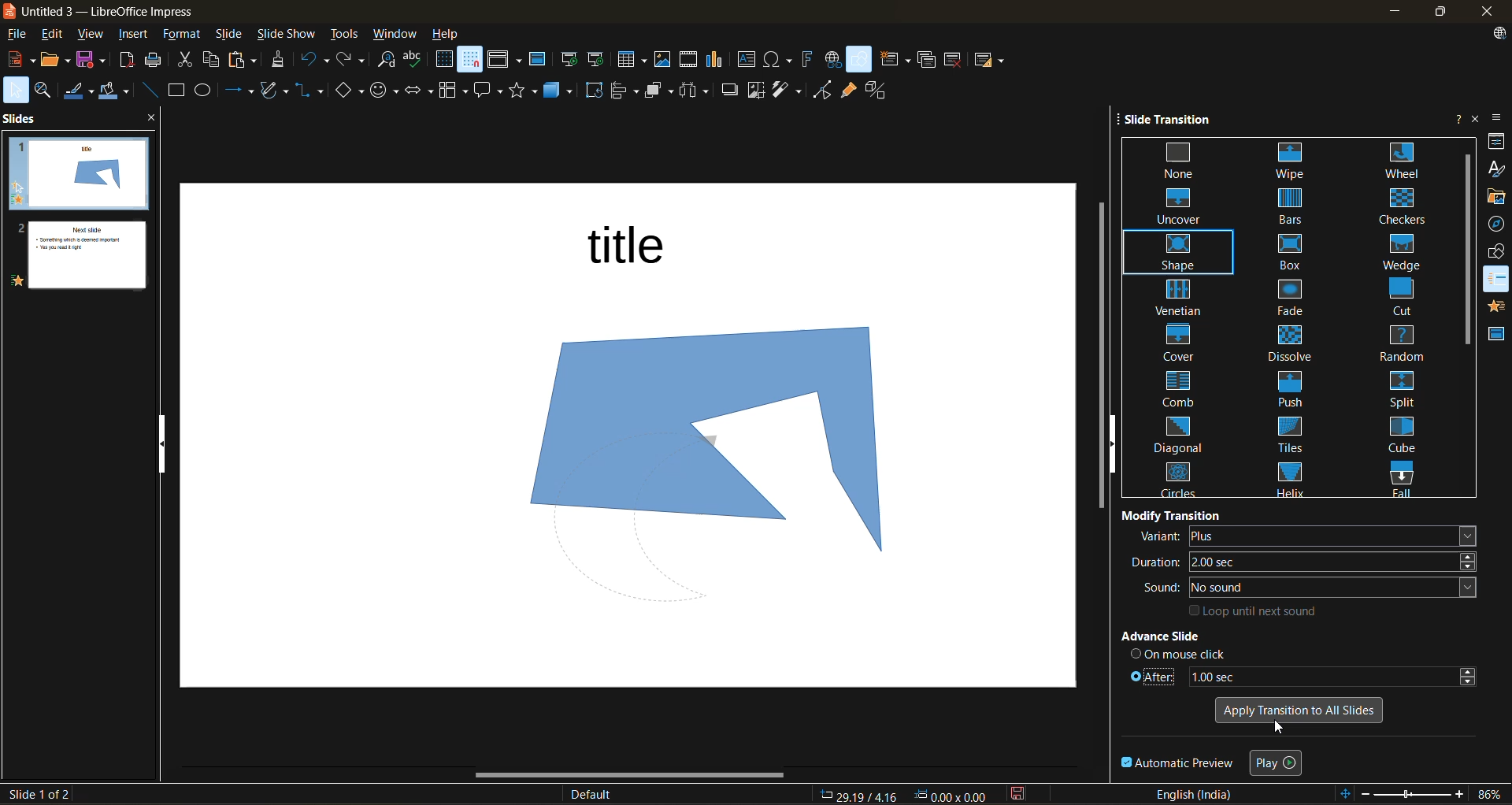 The height and width of the screenshot is (805, 1512). Describe the element at coordinates (187, 61) in the screenshot. I see `cut` at that location.